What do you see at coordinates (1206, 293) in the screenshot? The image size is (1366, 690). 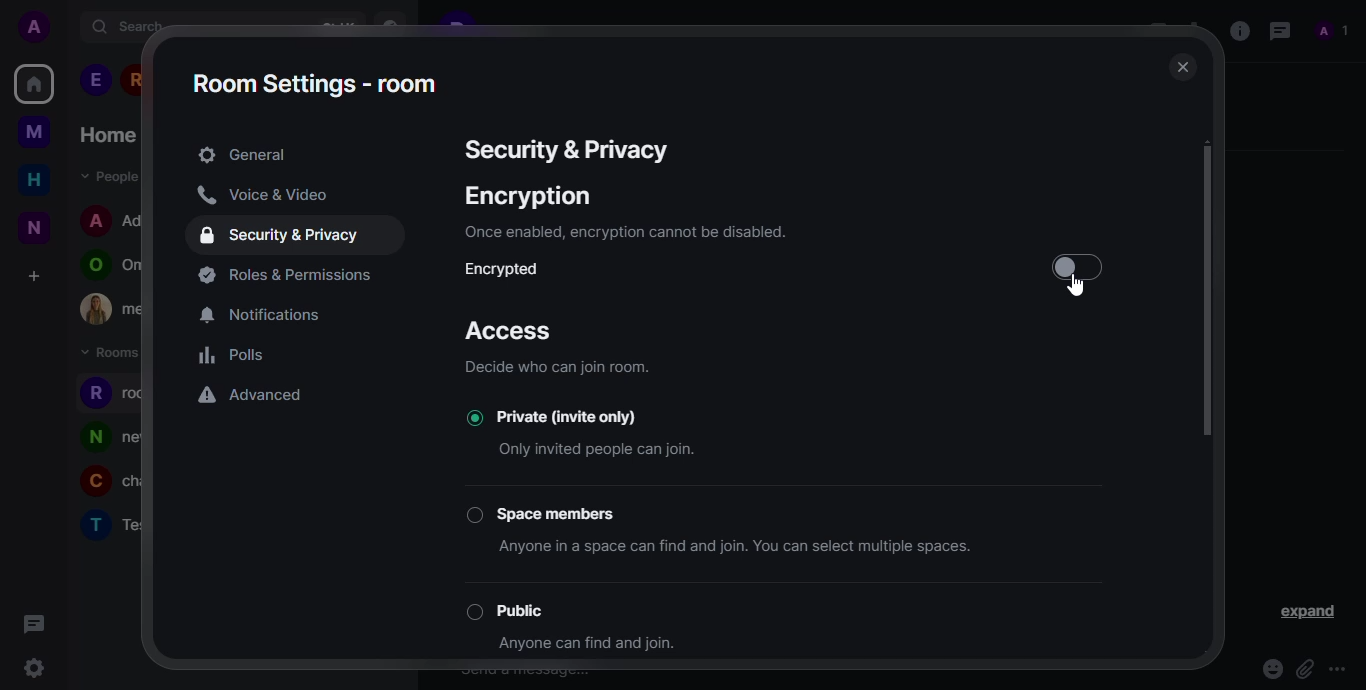 I see `scroll bar` at bounding box center [1206, 293].